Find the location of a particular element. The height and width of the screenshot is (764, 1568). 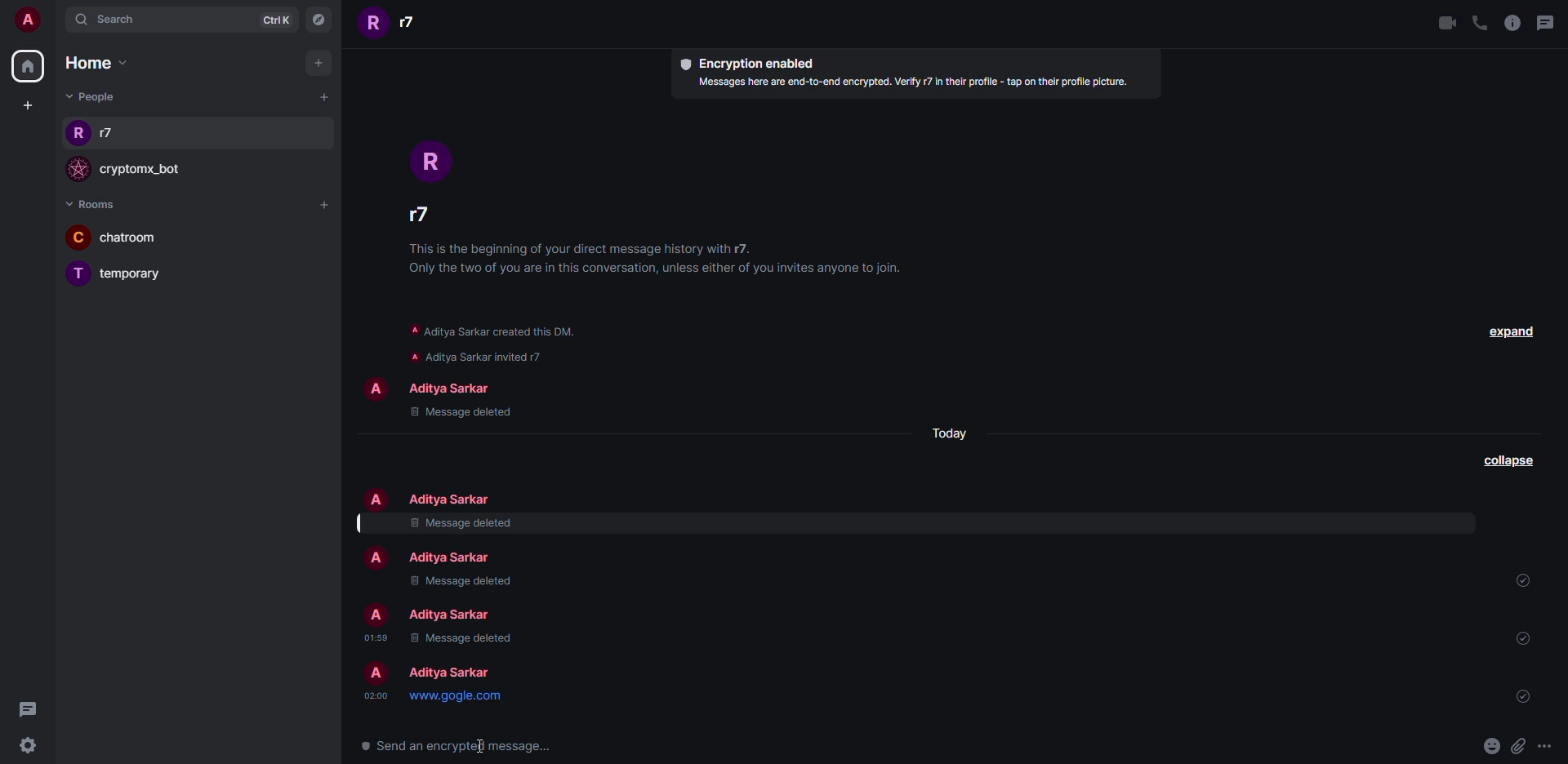

room is located at coordinates (137, 275).